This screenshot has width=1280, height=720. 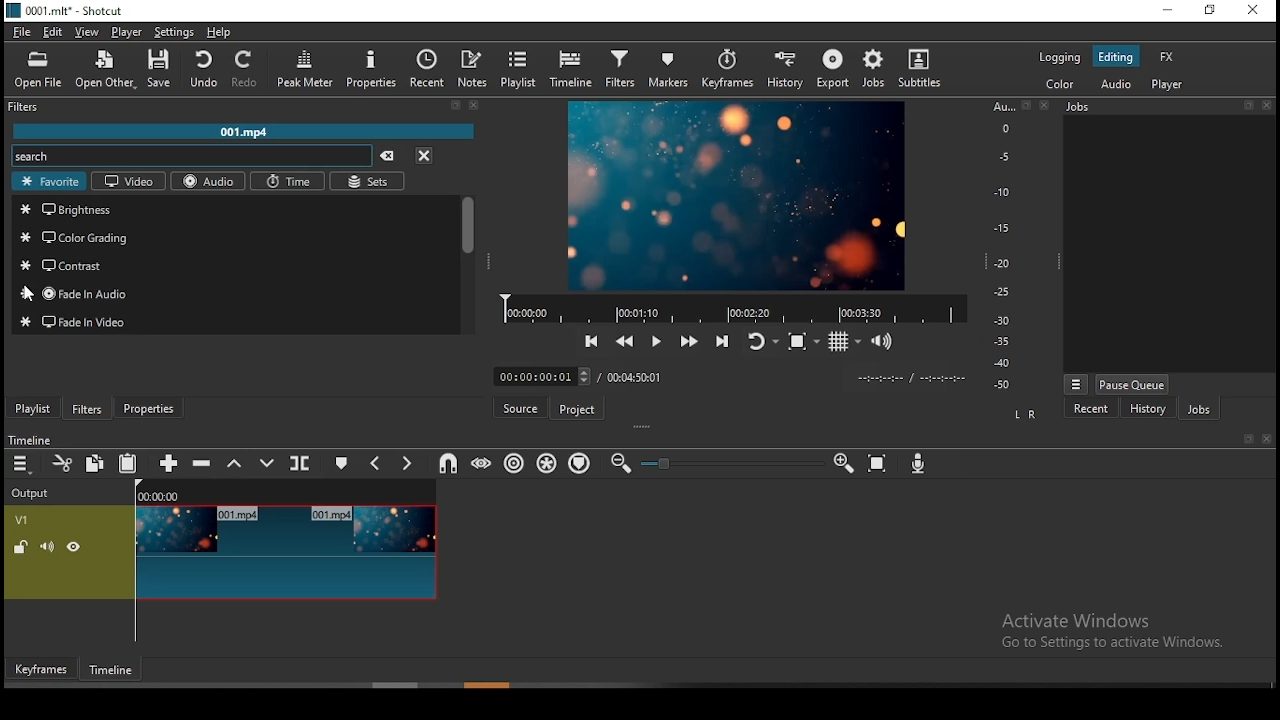 I want to click on pause queue, so click(x=1131, y=384).